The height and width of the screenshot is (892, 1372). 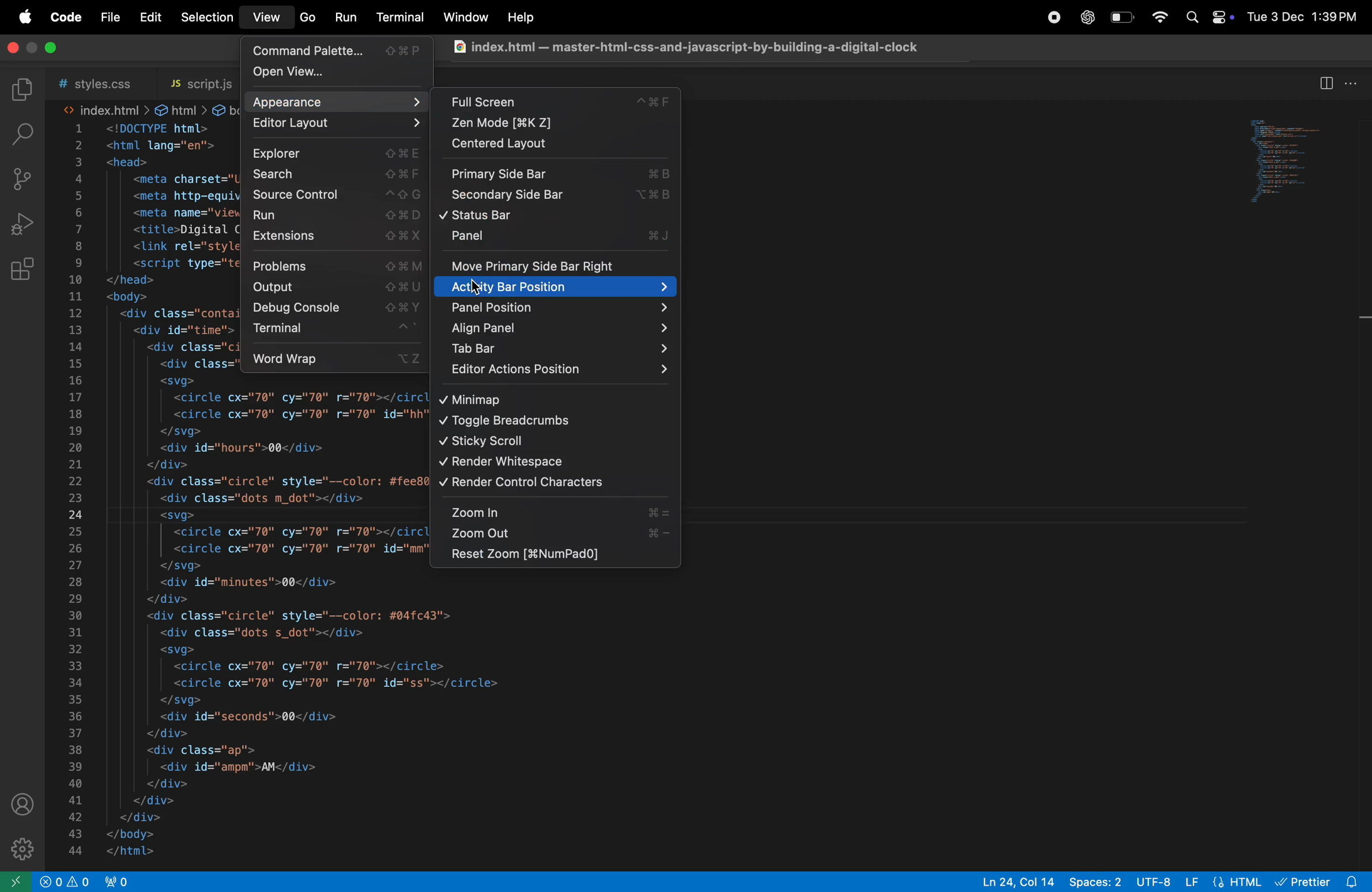 I want to click on toggle screen, so click(x=35, y=46).